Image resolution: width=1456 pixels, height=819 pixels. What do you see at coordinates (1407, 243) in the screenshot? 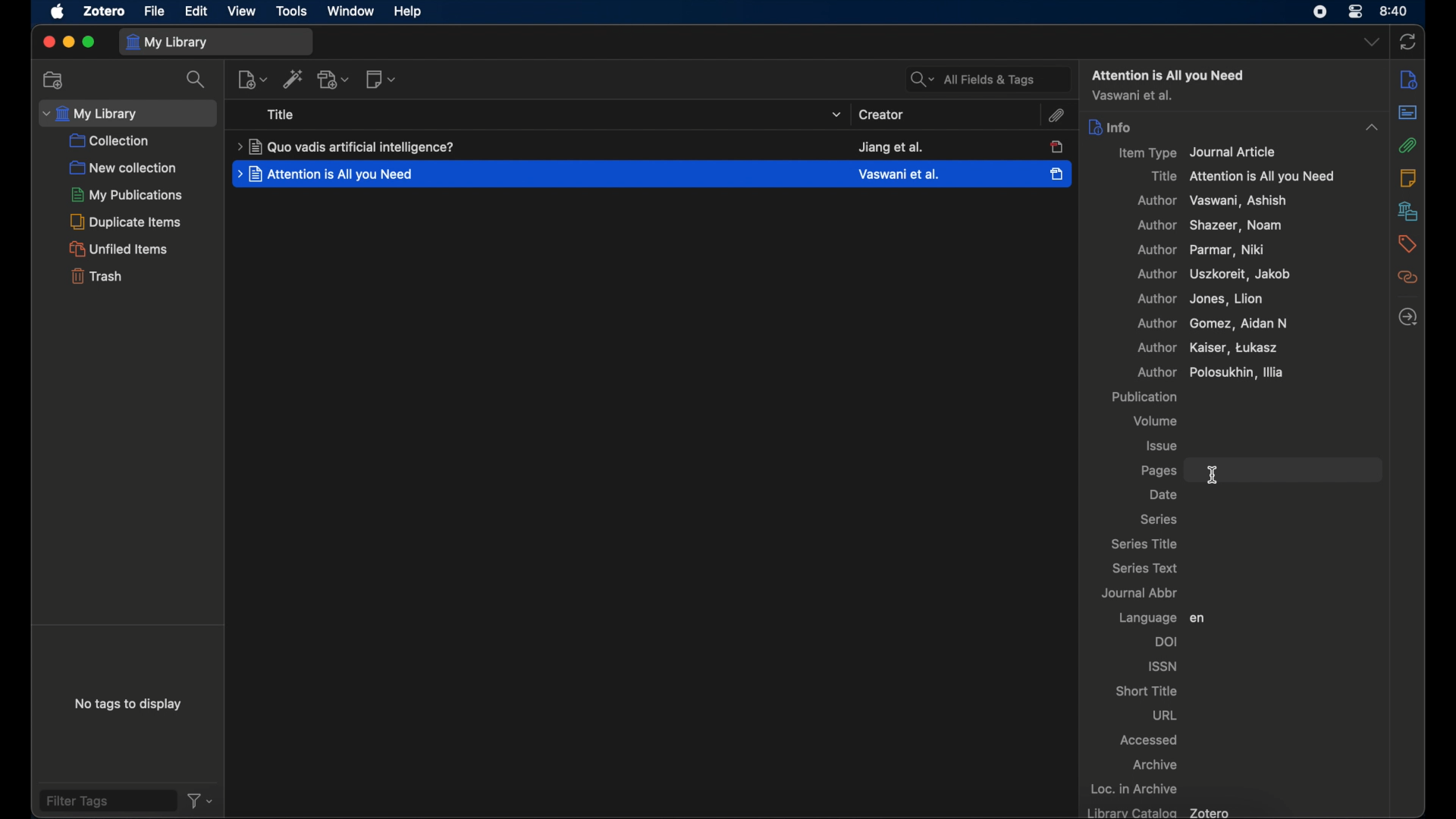
I see `tags` at bounding box center [1407, 243].